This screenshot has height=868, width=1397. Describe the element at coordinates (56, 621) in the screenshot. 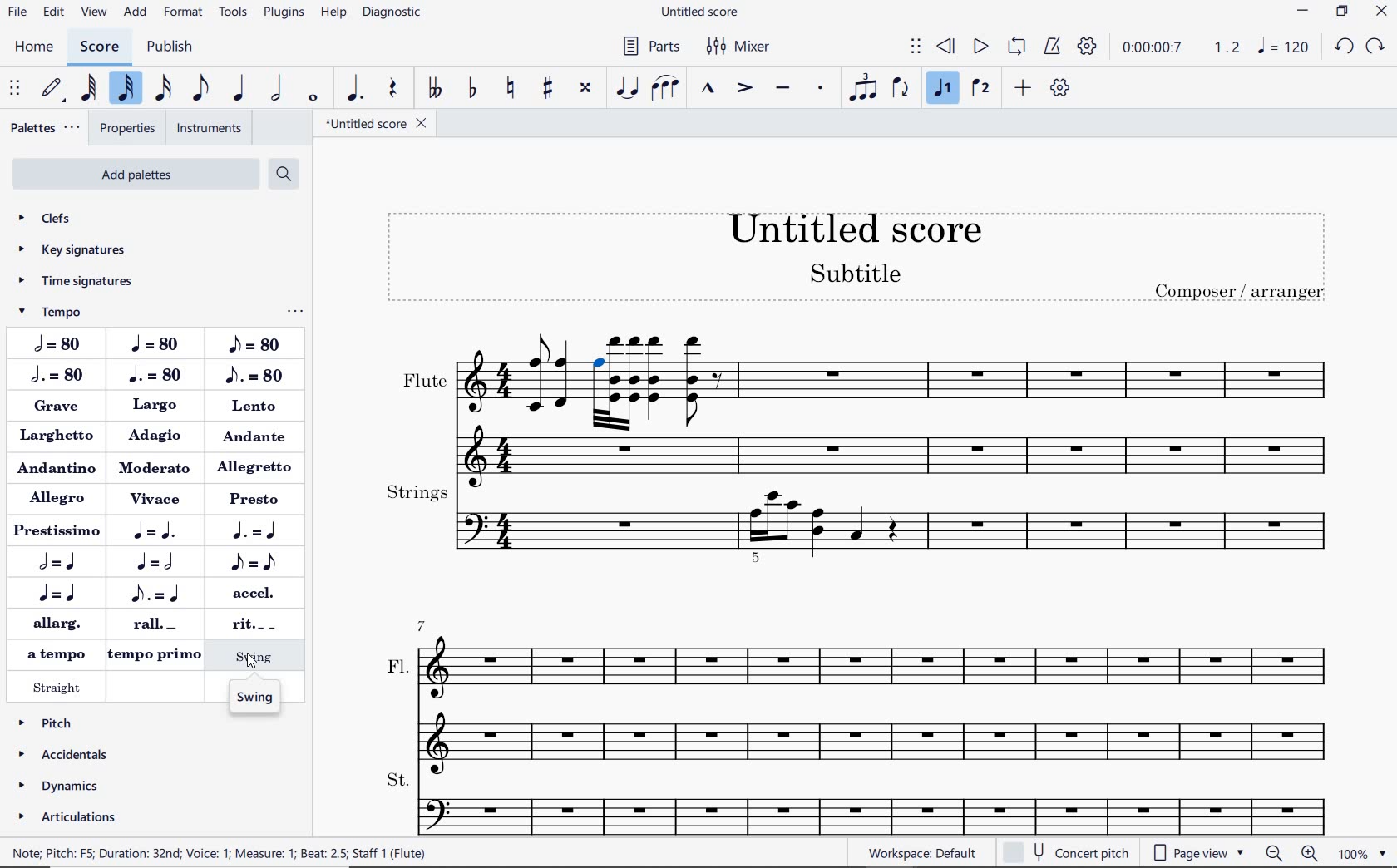

I see `ALLARG.` at that location.